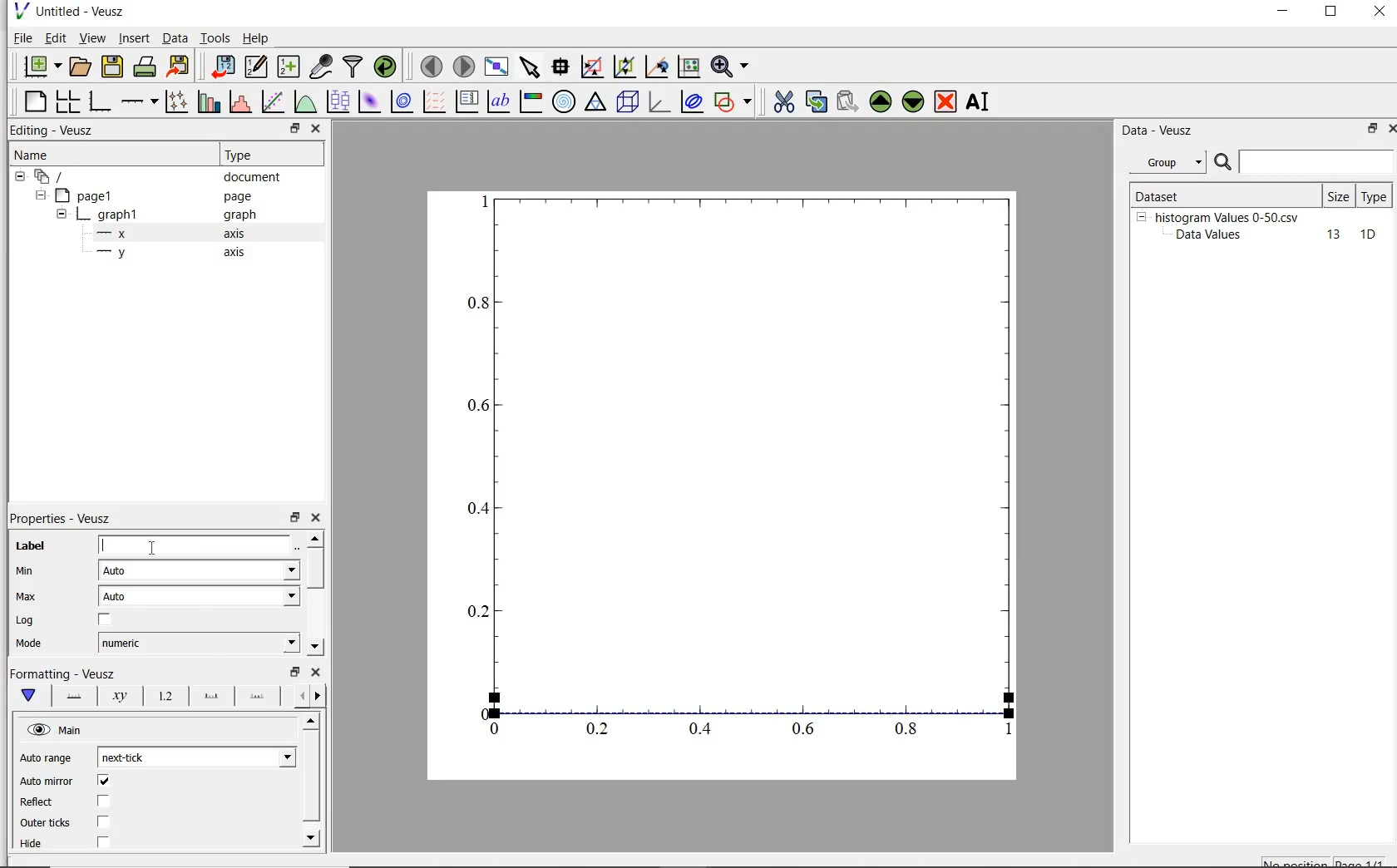  I want to click on 13, so click(1326, 235).